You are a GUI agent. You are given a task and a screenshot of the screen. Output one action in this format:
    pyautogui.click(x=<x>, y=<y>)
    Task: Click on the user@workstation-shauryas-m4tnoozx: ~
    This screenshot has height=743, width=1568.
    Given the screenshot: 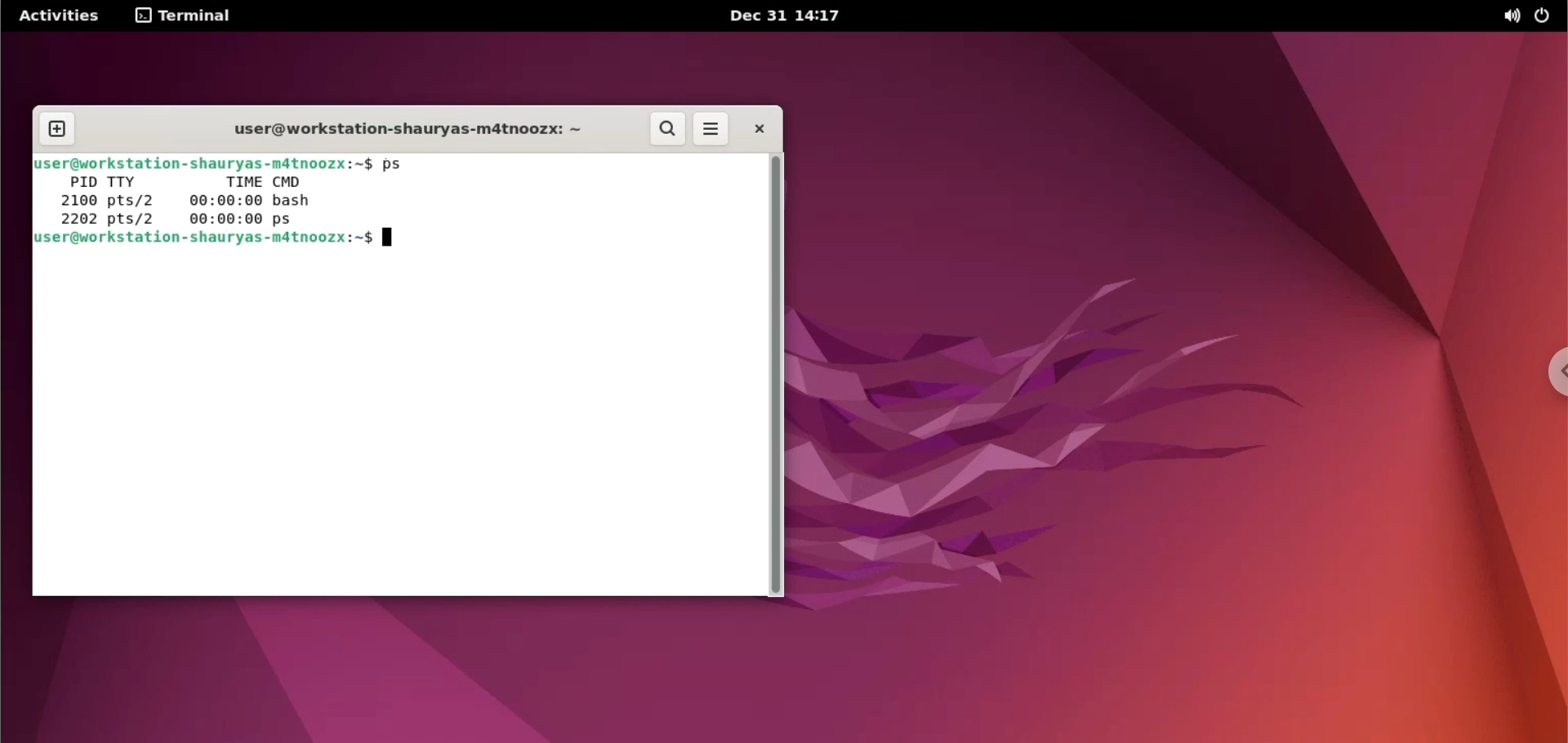 What is the action you would take?
    pyautogui.click(x=396, y=127)
    